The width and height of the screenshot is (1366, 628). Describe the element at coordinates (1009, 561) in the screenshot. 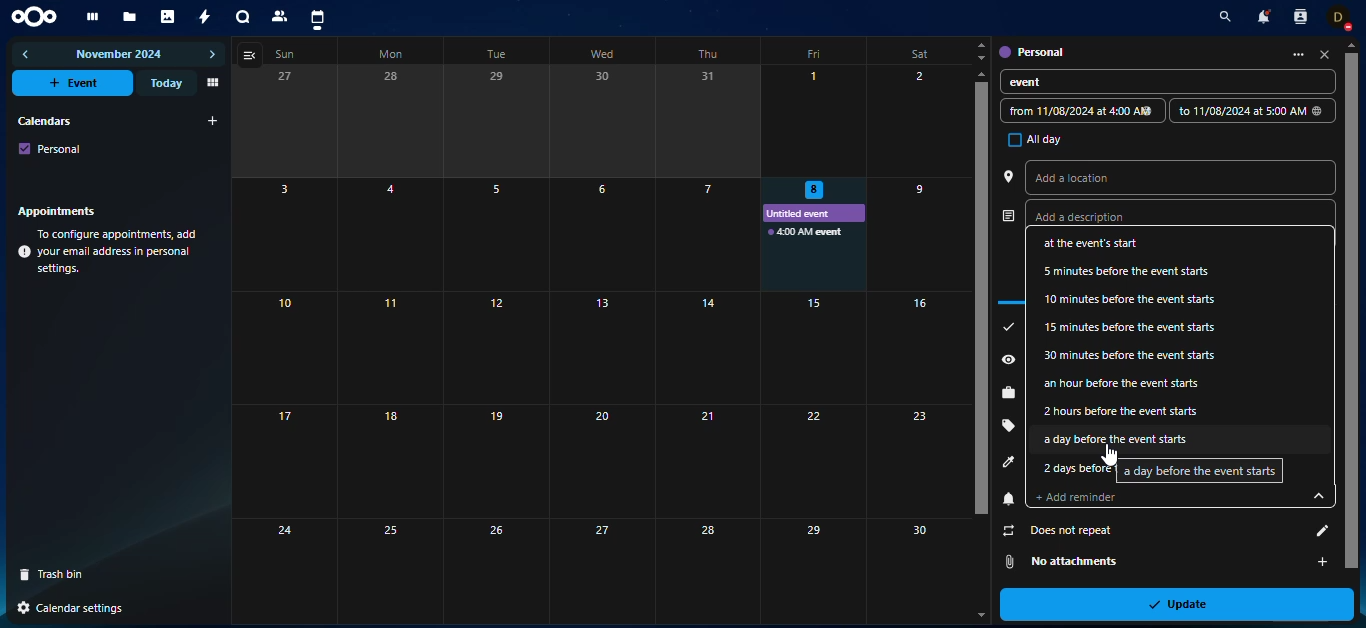

I see `attach` at that location.